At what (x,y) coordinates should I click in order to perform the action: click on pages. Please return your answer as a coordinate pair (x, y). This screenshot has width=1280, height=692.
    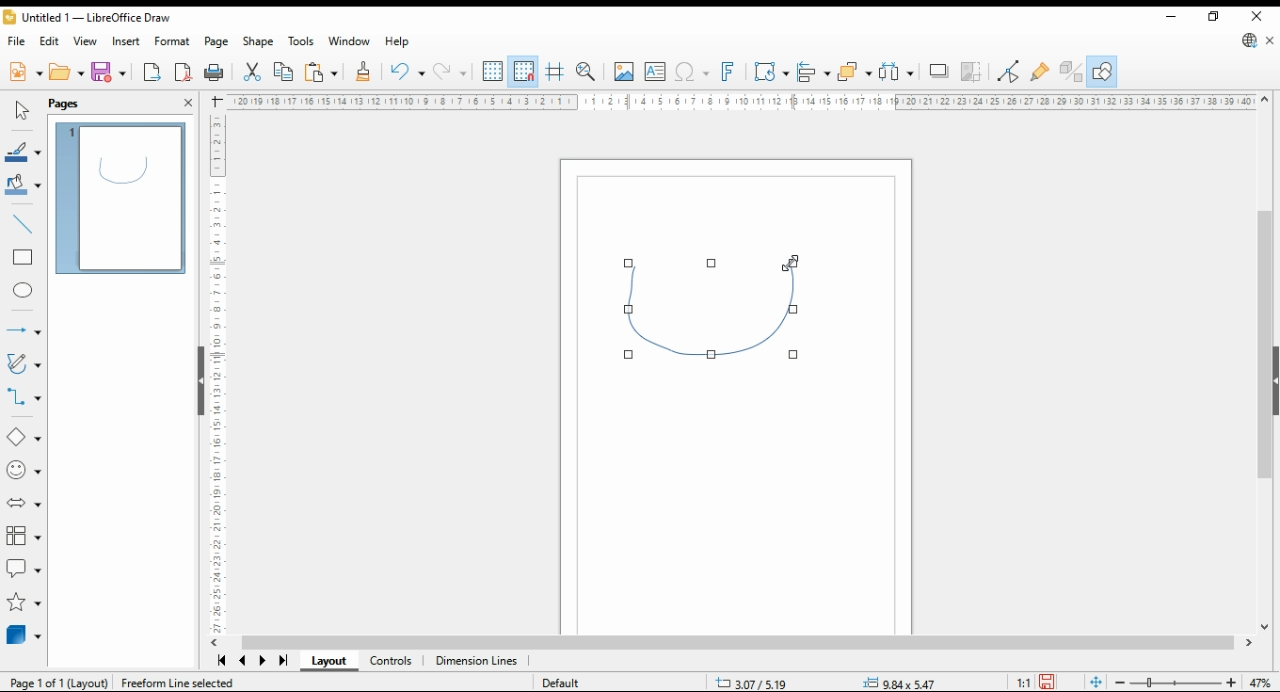
    Looking at the image, I should click on (65, 104).